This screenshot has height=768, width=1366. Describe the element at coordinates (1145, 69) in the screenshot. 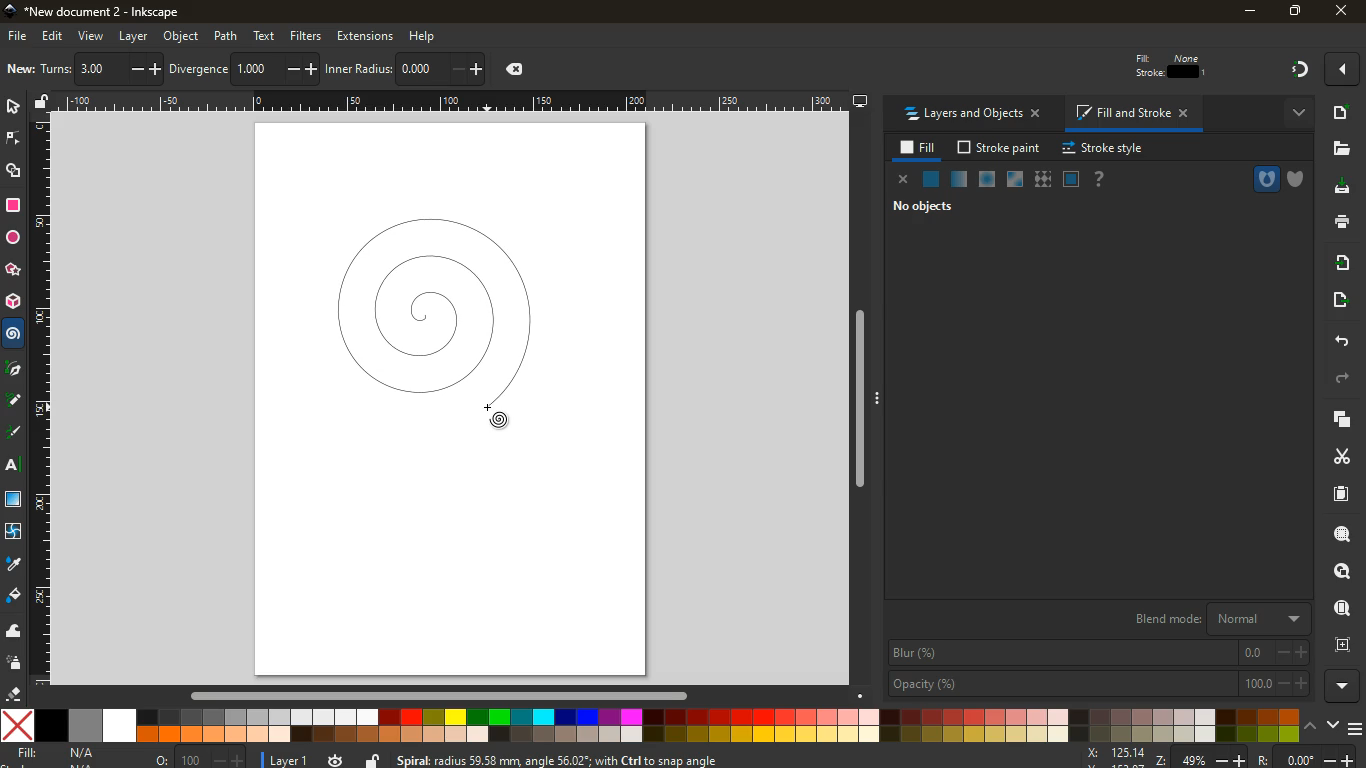

I see `edit` at that location.